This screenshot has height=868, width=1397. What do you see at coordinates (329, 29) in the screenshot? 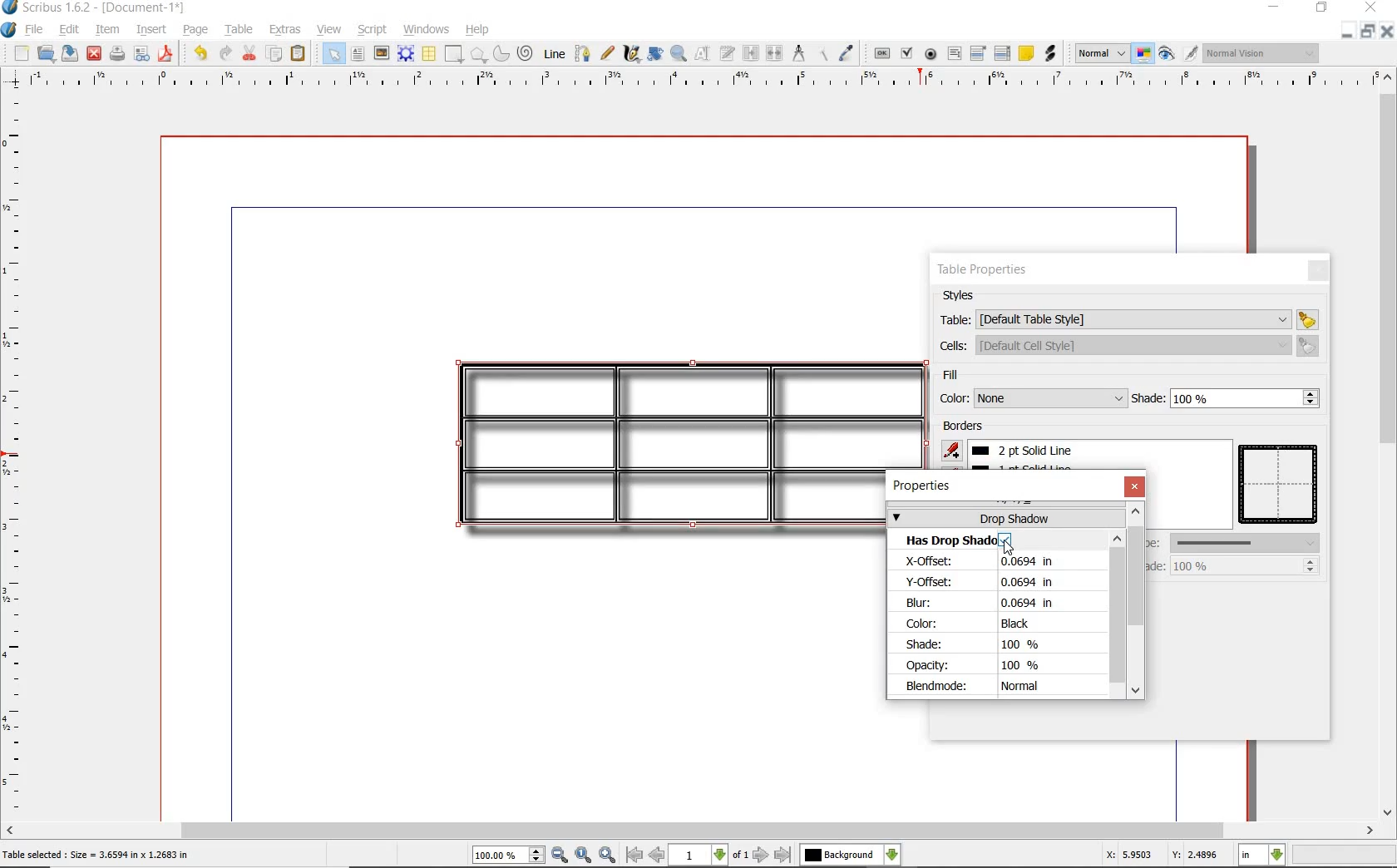
I see `view` at bounding box center [329, 29].